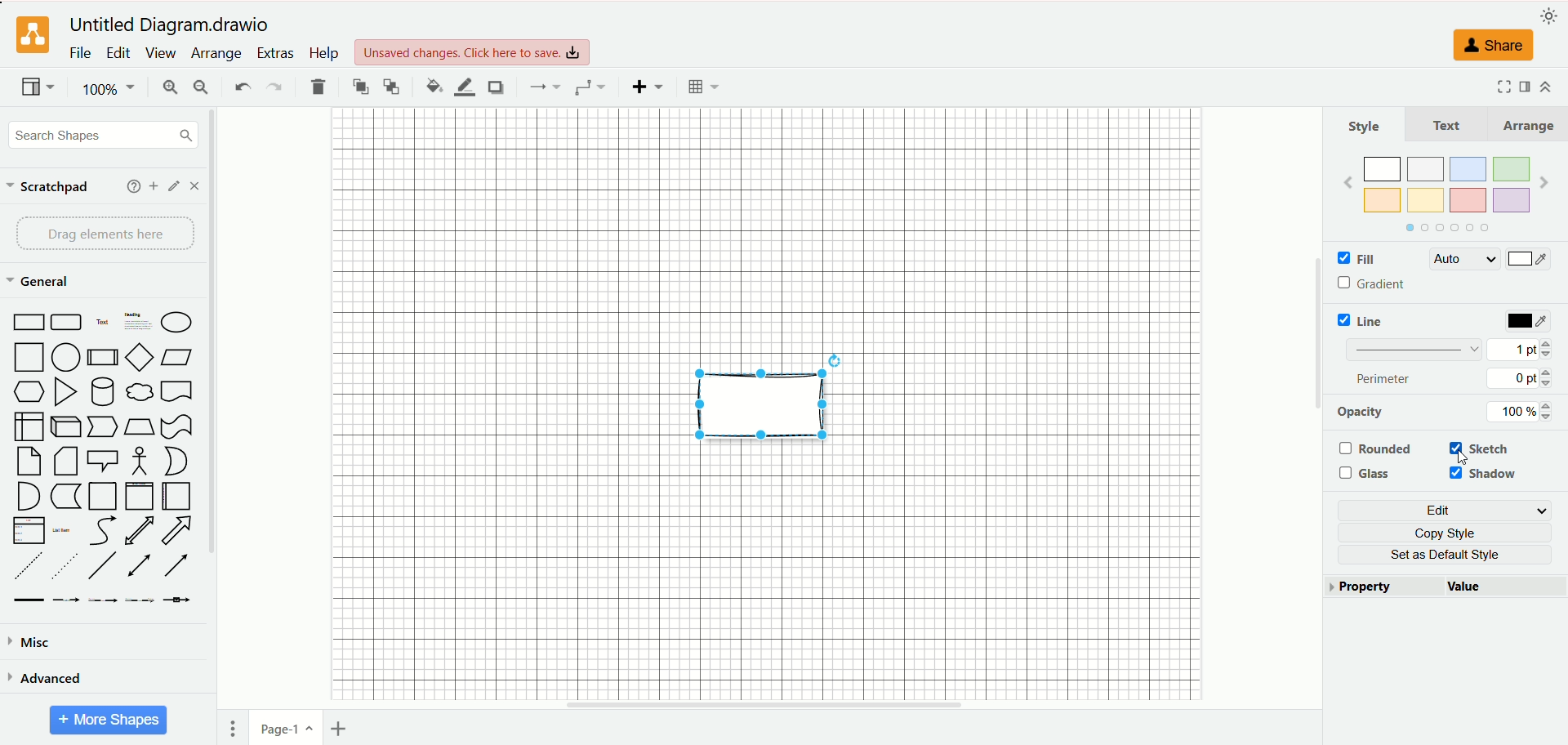 This screenshot has height=745, width=1568. What do you see at coordinates (30, 36) in the screenshot?
I see `logo` at bounding box center [30, 36].